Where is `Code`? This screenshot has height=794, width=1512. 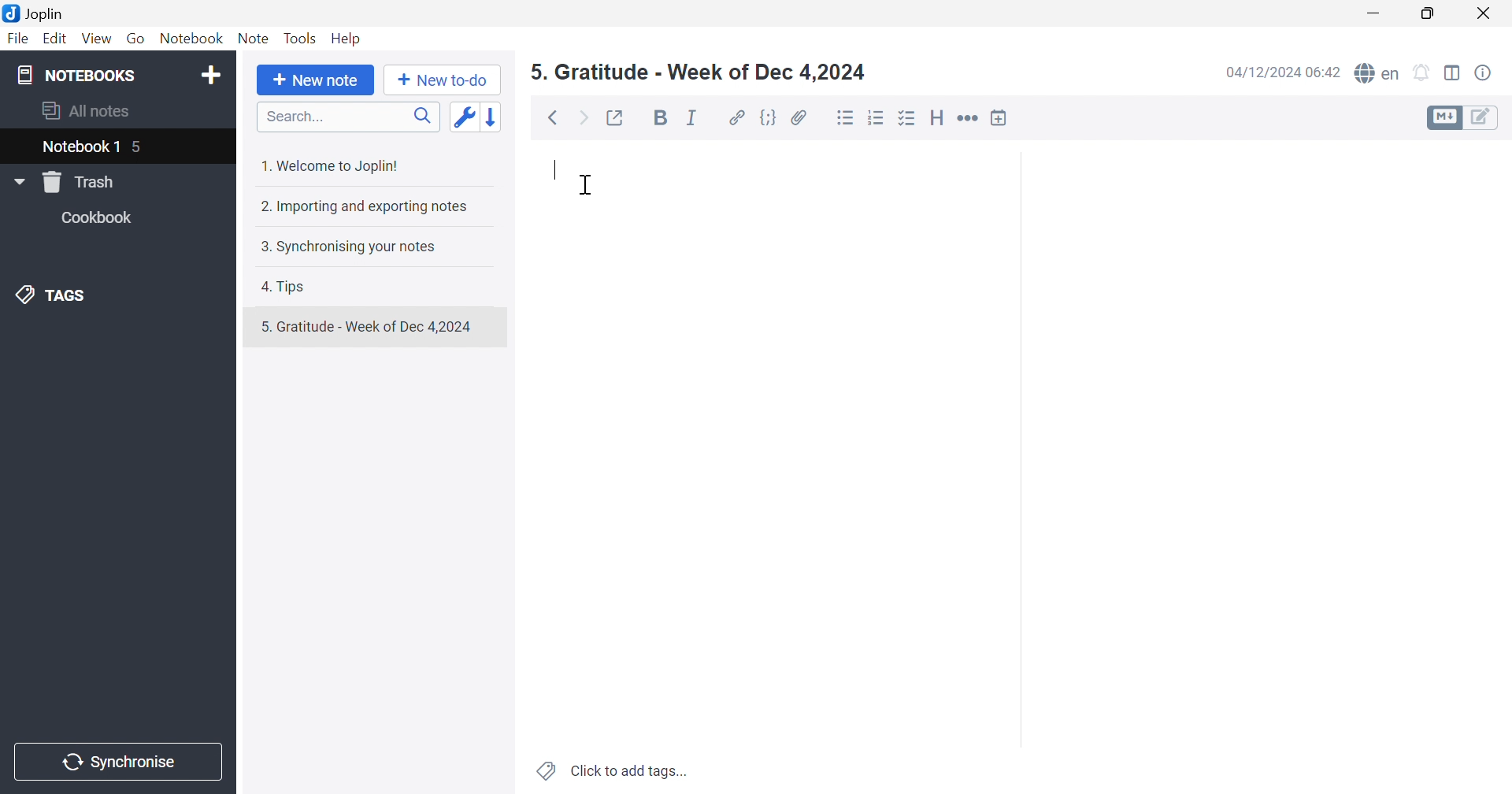 Code is located at coordinates (769, 117).